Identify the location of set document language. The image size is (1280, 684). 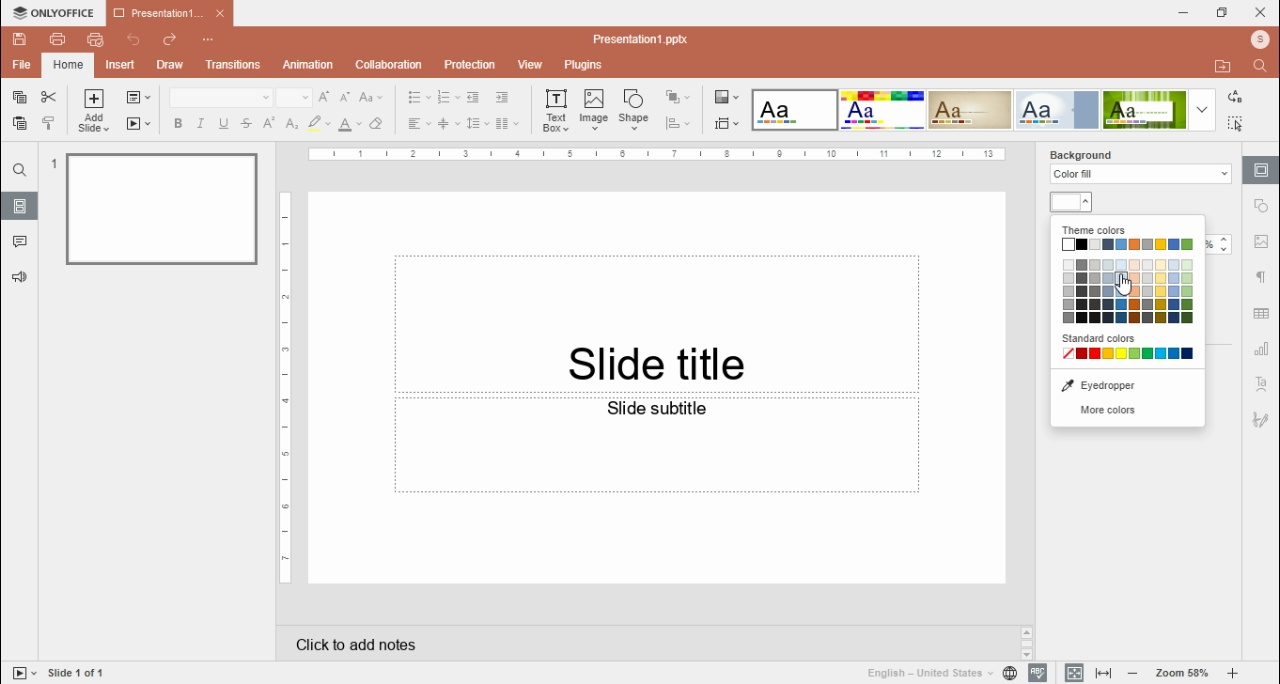
(1010, 674).